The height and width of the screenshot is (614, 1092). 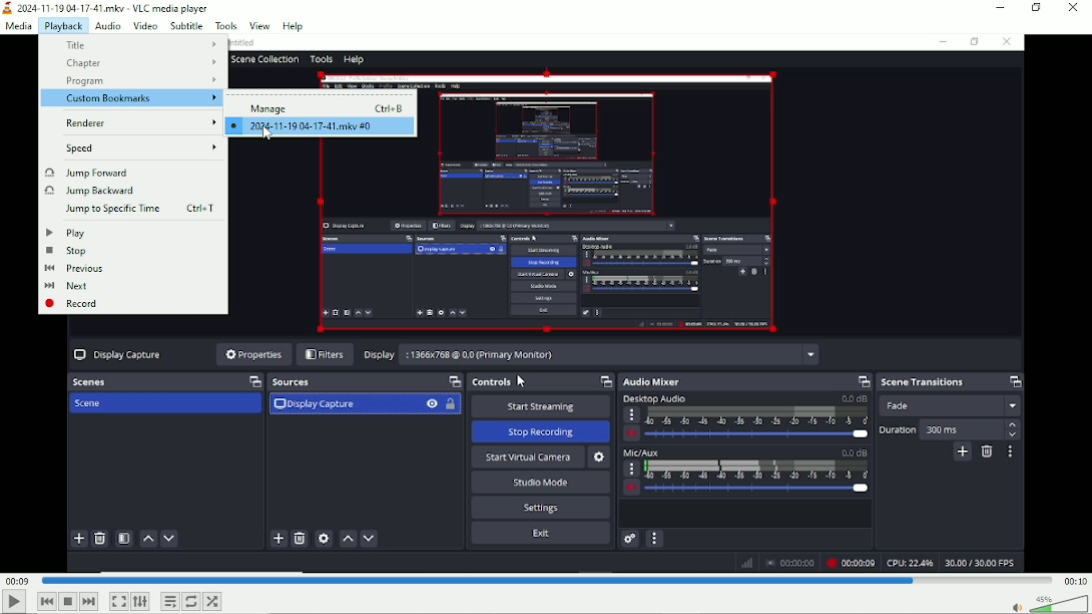 What do you see at coordinates (107, 8) in the screenshot?
I see `2024-11-19 04-17-41.mkv - VLC media player` at bounding box center [107, 8].